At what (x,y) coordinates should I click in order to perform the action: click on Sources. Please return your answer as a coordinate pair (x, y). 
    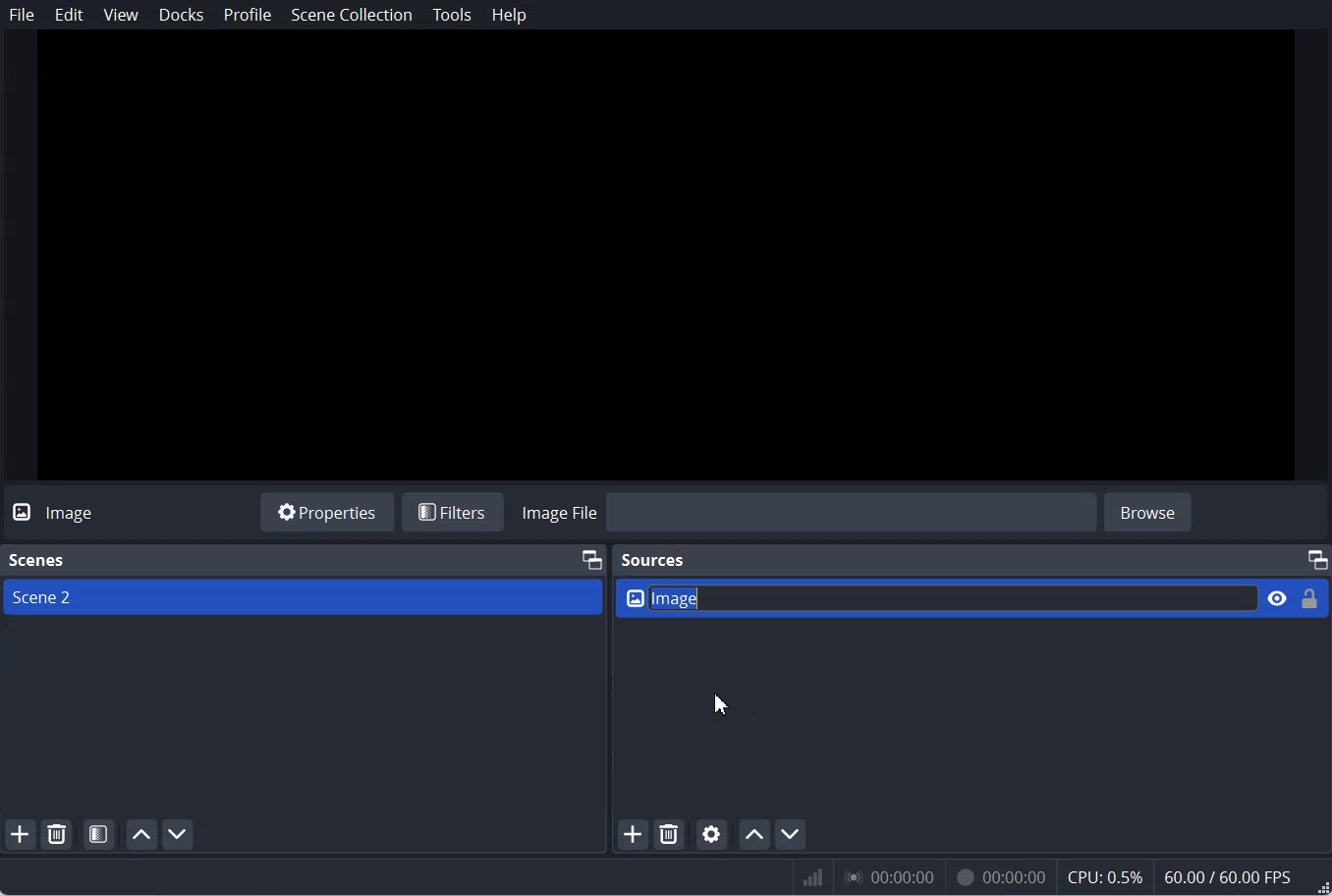
    Looking at the image, I should click on (653, 561).